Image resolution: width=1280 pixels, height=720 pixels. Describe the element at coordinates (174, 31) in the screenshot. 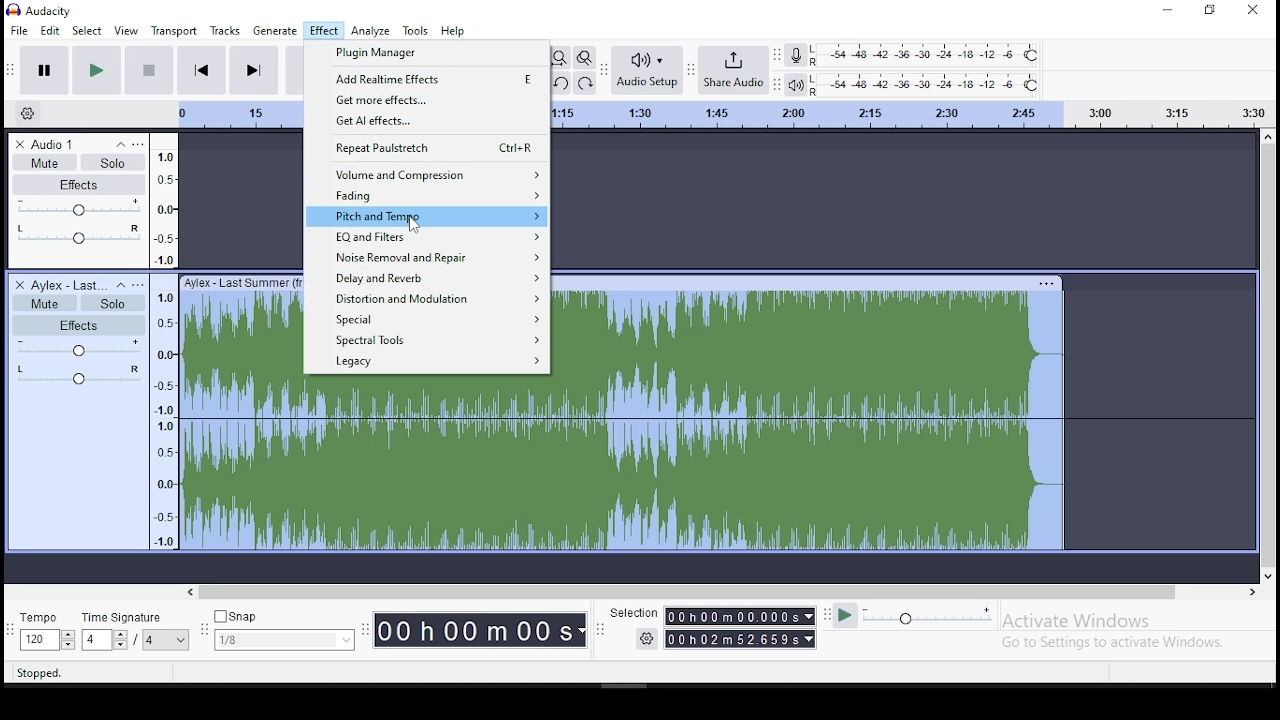

I see `transport` at that location.